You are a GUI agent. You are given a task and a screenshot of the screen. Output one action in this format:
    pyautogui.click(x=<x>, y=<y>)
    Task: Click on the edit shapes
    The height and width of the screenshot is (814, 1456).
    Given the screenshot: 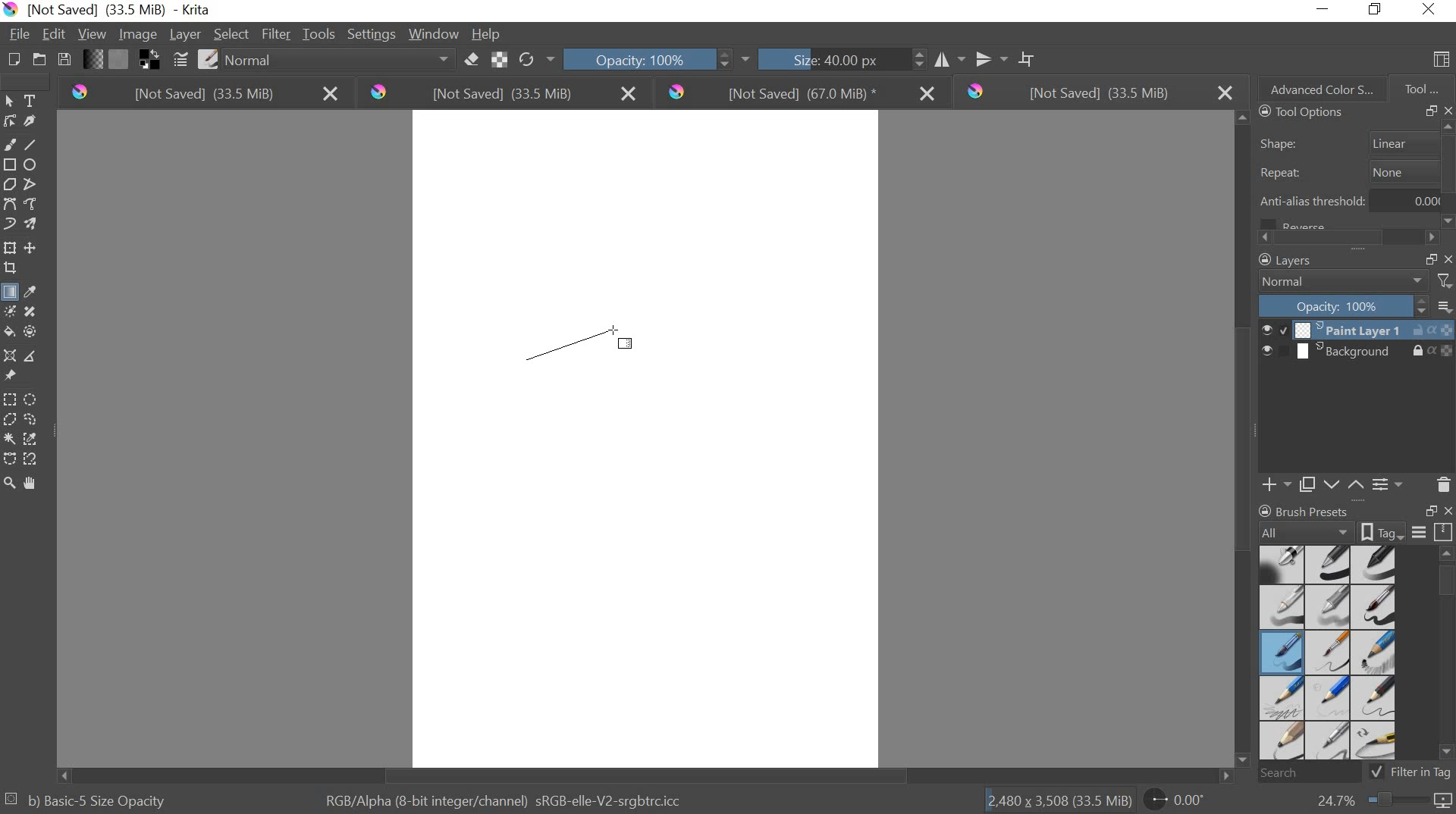 What is the action you would take?
    pyautogui.click(x=12, y=121)
    